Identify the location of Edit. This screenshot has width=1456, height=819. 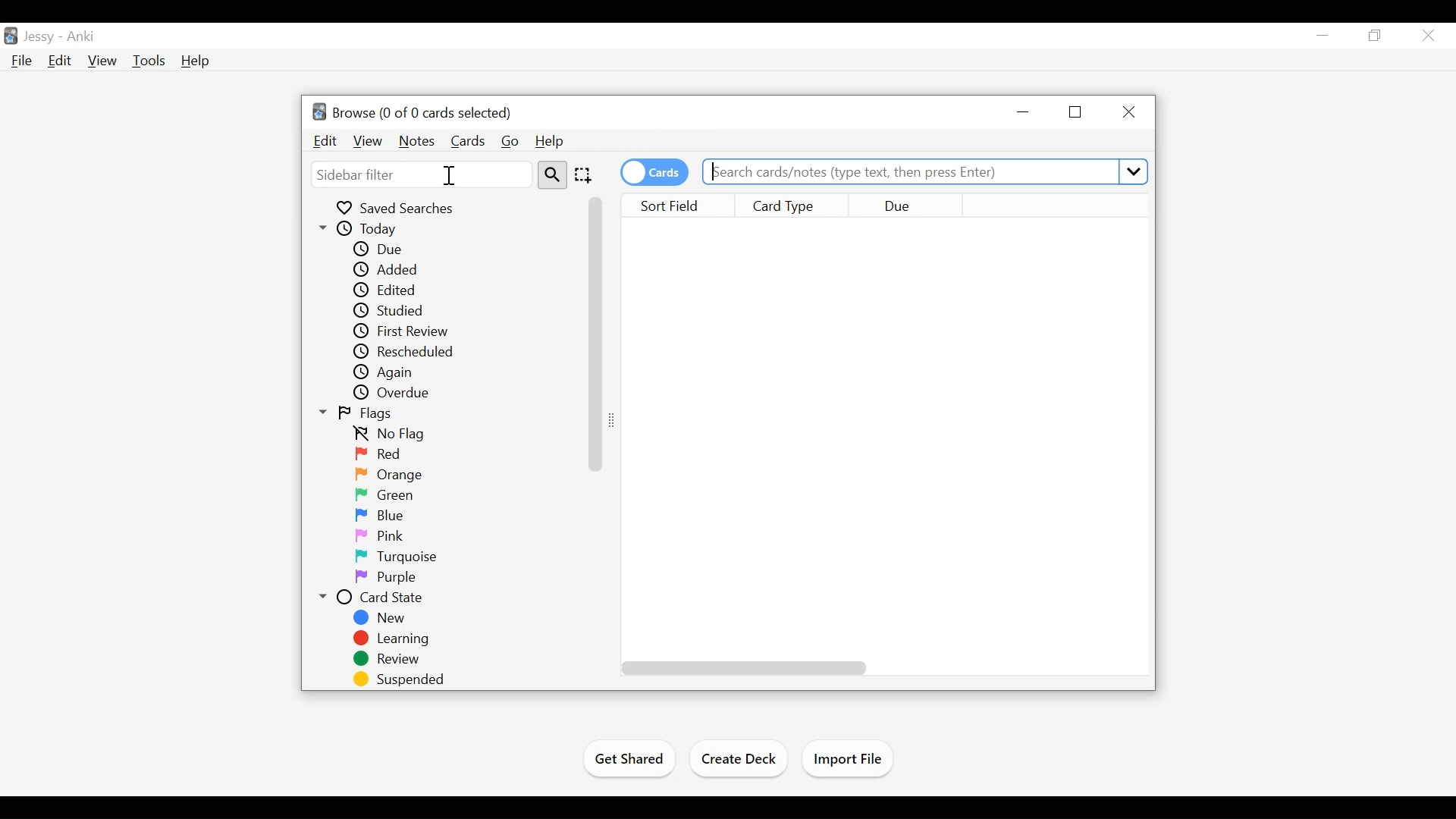
(325, 141).